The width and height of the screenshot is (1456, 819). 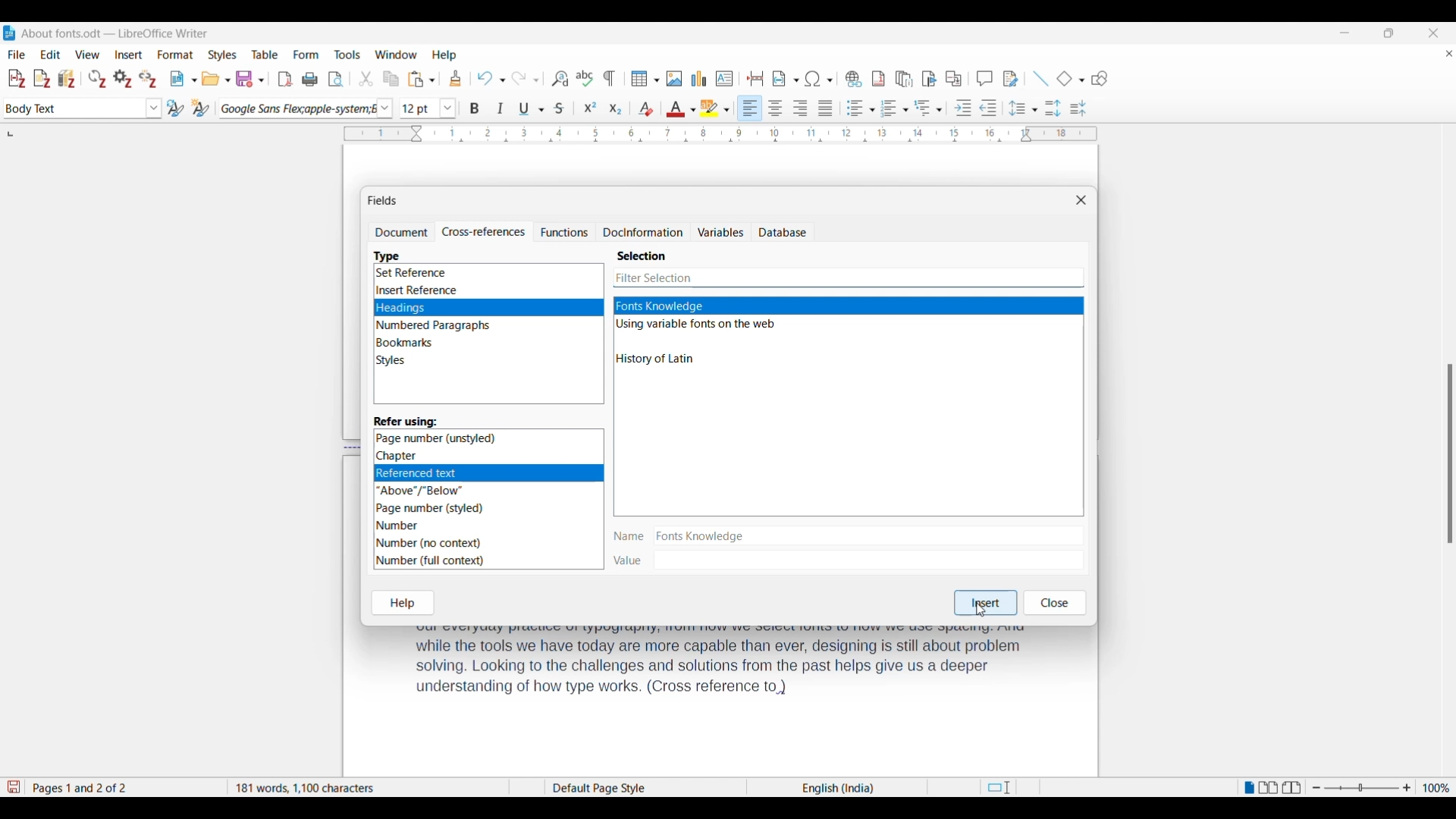 What do you see at coordinates (998, 789) in the screenshot?
I see `Standard selection` at bounding box center [998, 789].